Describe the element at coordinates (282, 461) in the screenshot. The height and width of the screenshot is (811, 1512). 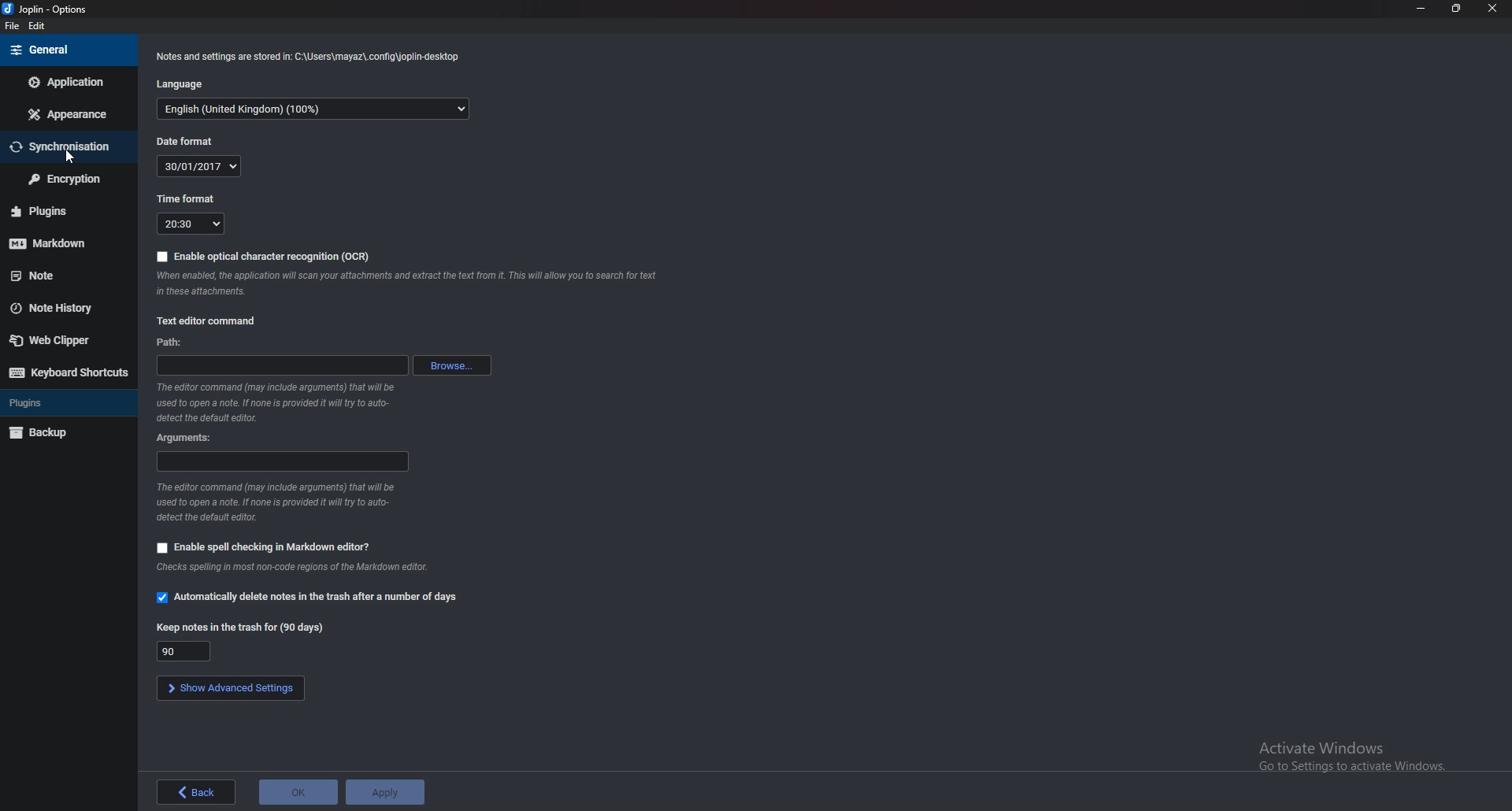
I see `arguments` at that location.